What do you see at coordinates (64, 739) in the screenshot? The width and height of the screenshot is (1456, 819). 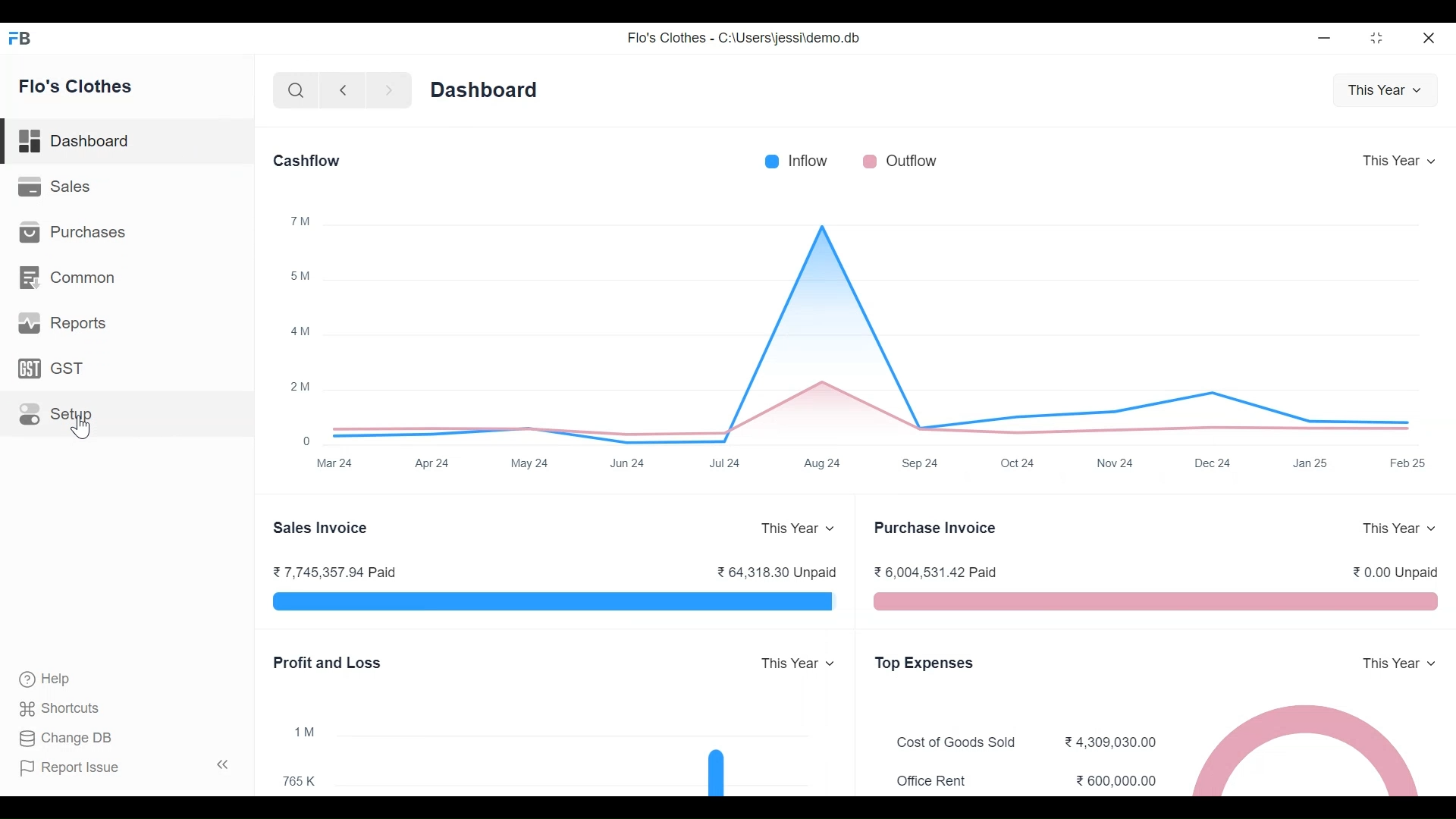 I see `change DB` at bounding box center [64, 739].